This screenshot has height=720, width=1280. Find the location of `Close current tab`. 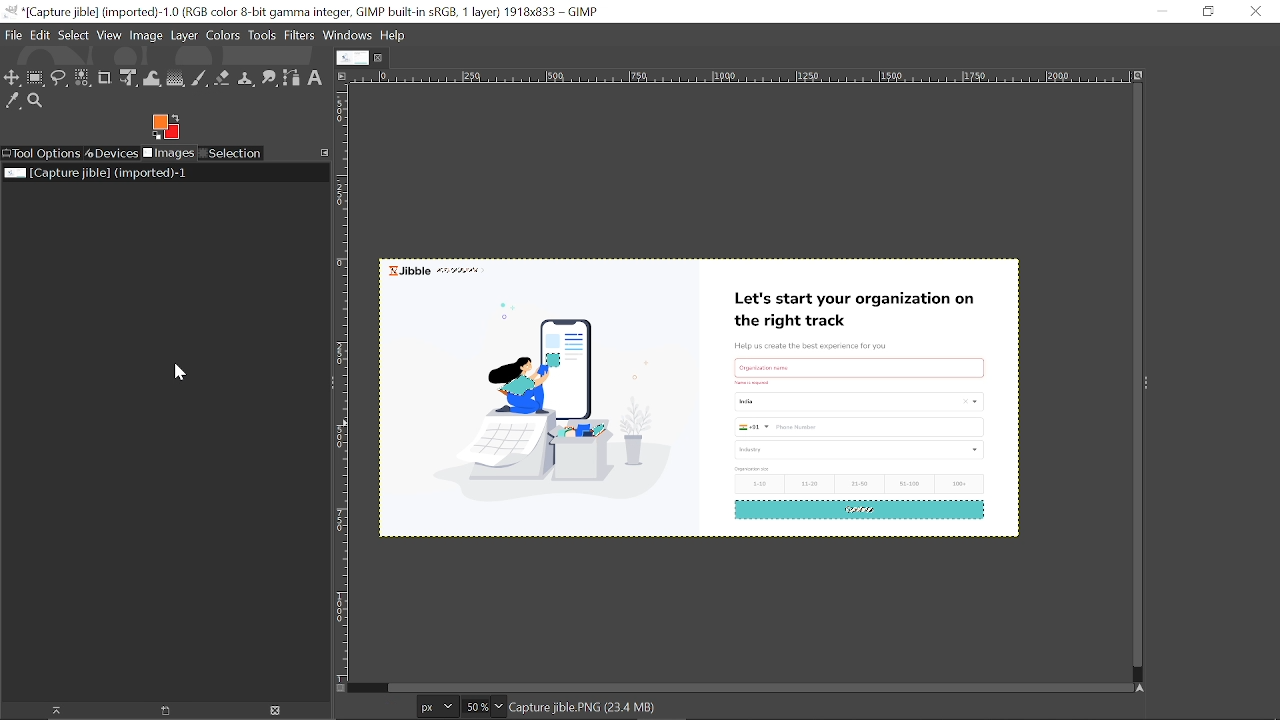

Close current tab is located at coordinates (383, 57).